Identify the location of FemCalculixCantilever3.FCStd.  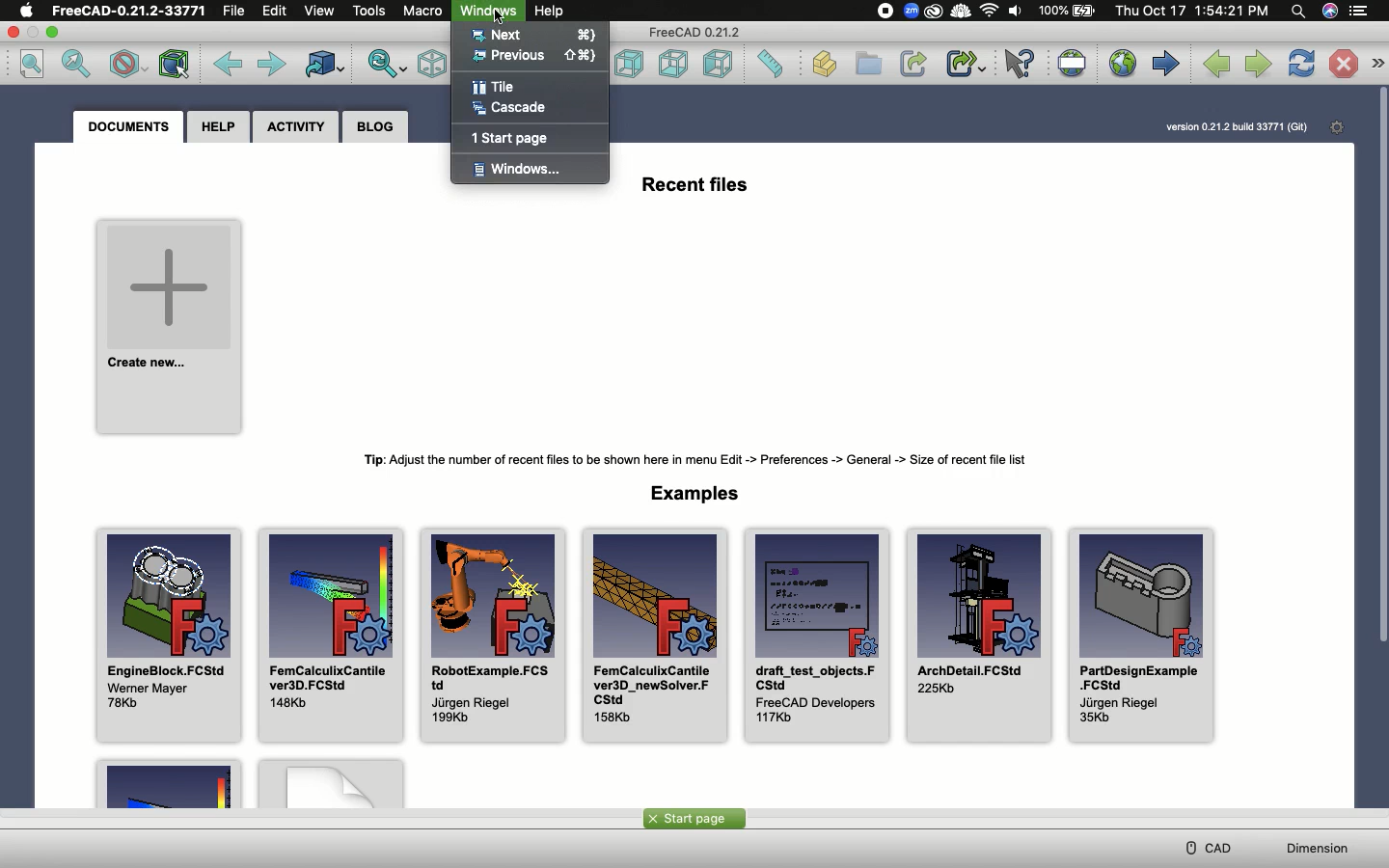
(333, 635).